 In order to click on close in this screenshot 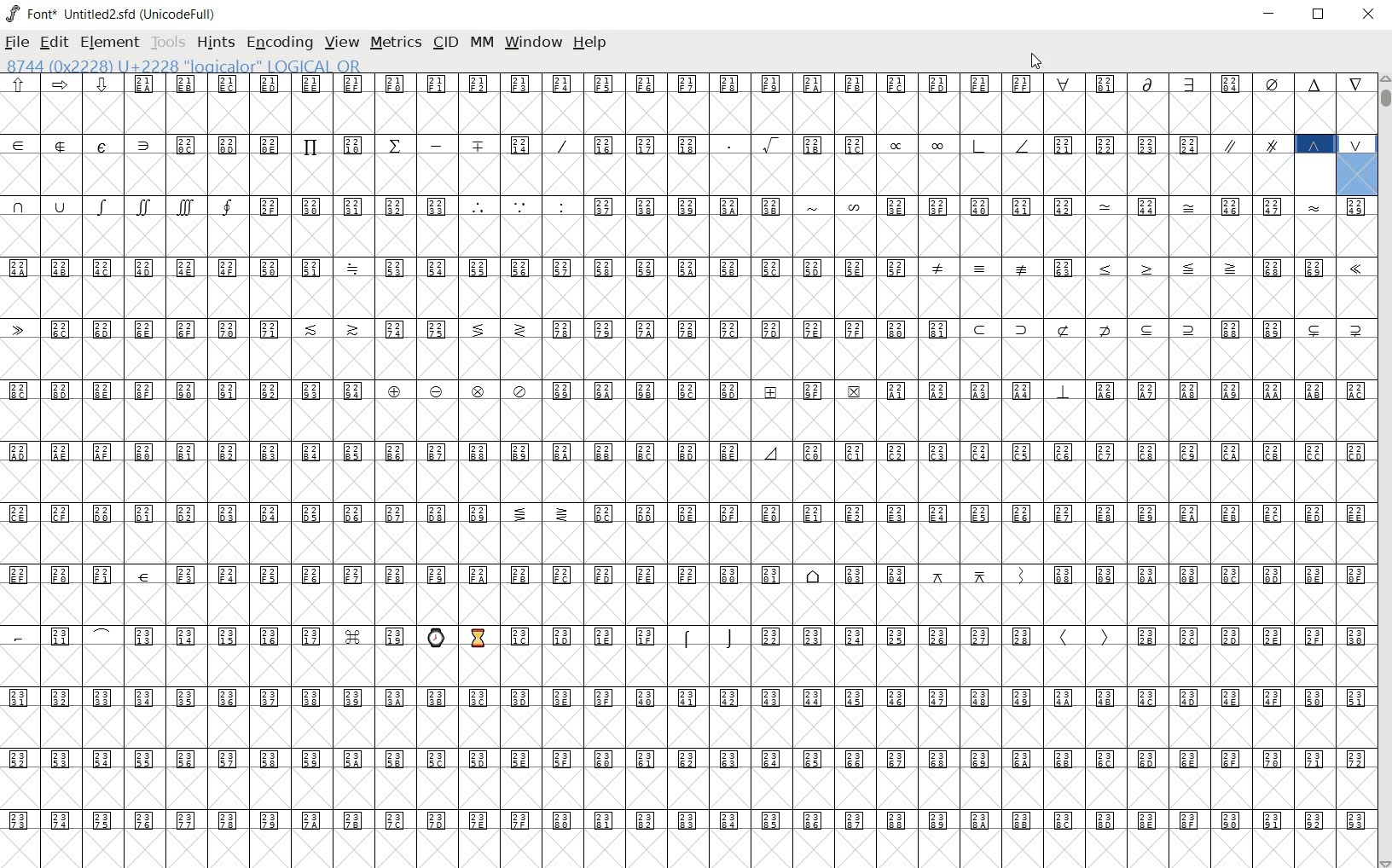, I will do `click(1038, 62)`.